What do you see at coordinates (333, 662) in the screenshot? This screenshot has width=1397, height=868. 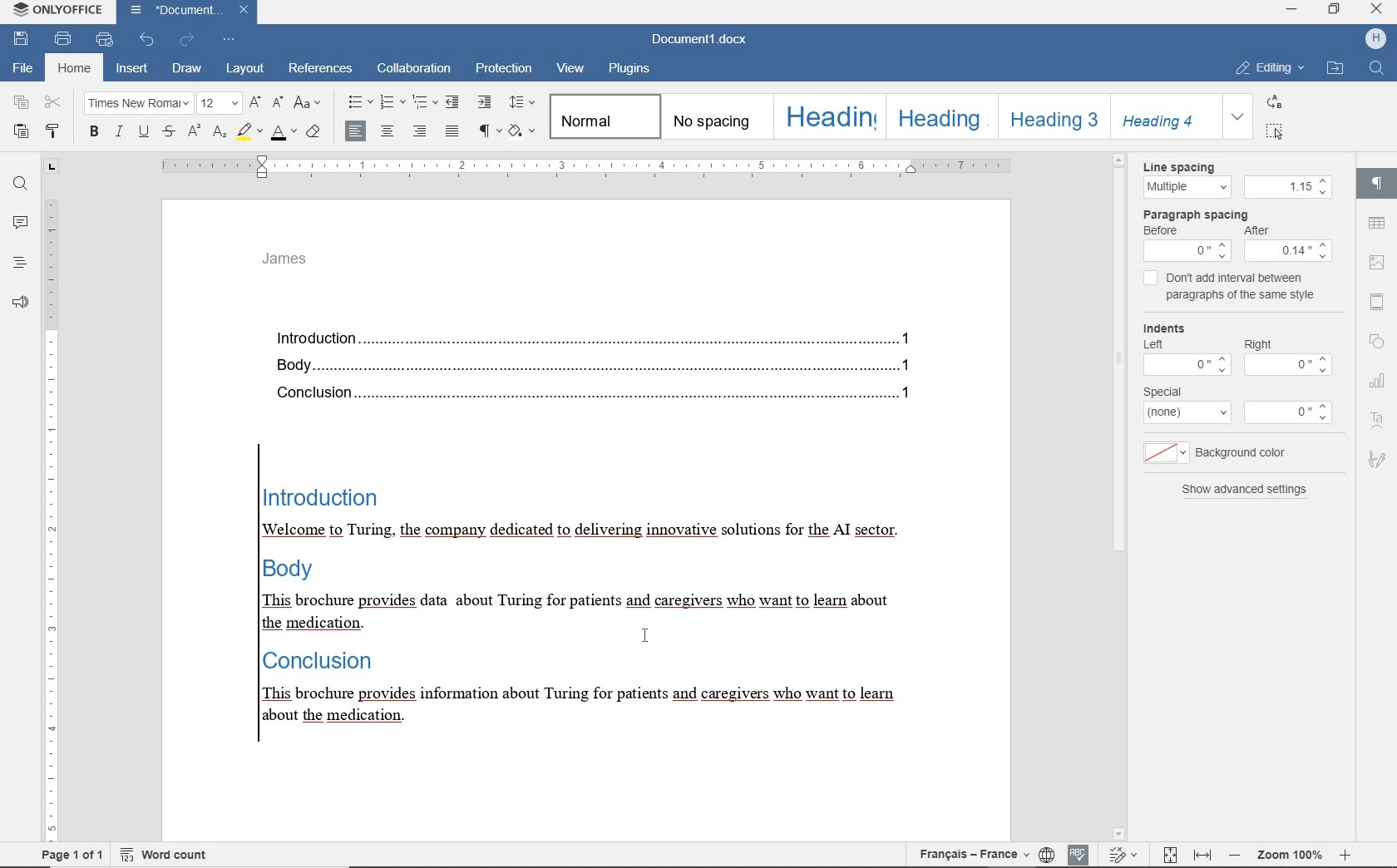 I see `Conclusion` at bounding box center [333, 662].